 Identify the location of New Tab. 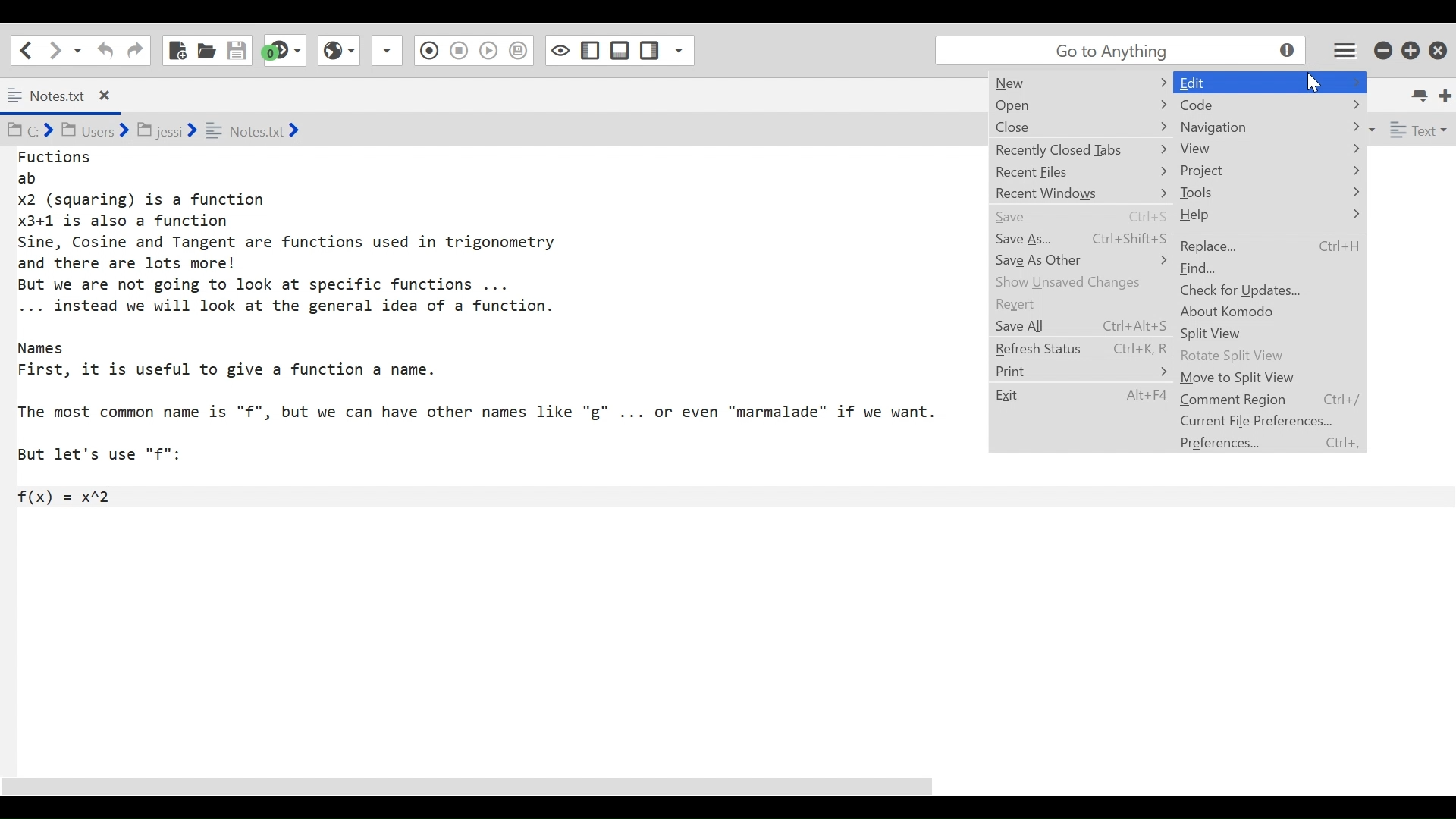
(1446, 94).